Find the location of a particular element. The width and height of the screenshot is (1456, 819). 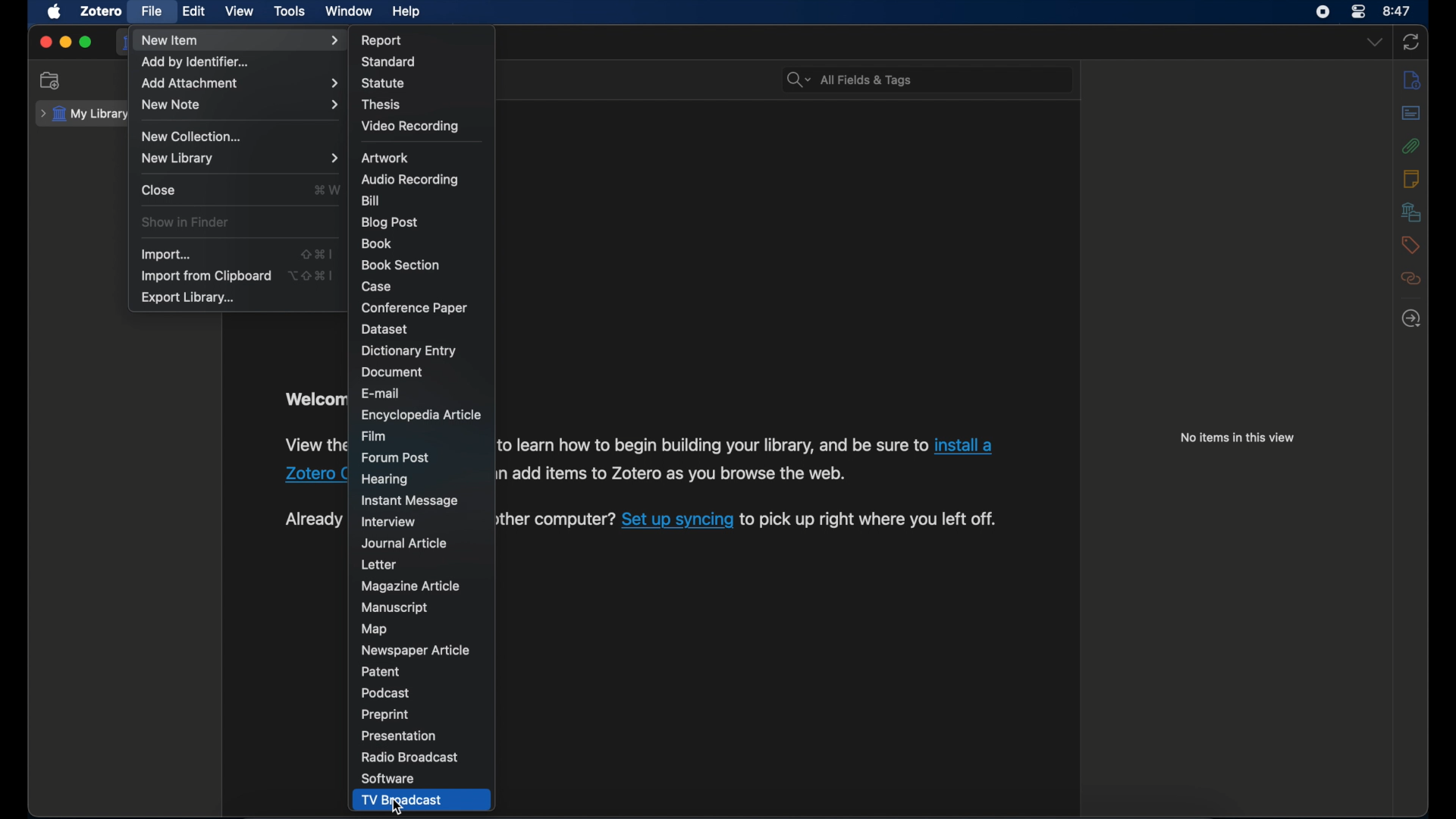

help is located at coordinates (406, 11).